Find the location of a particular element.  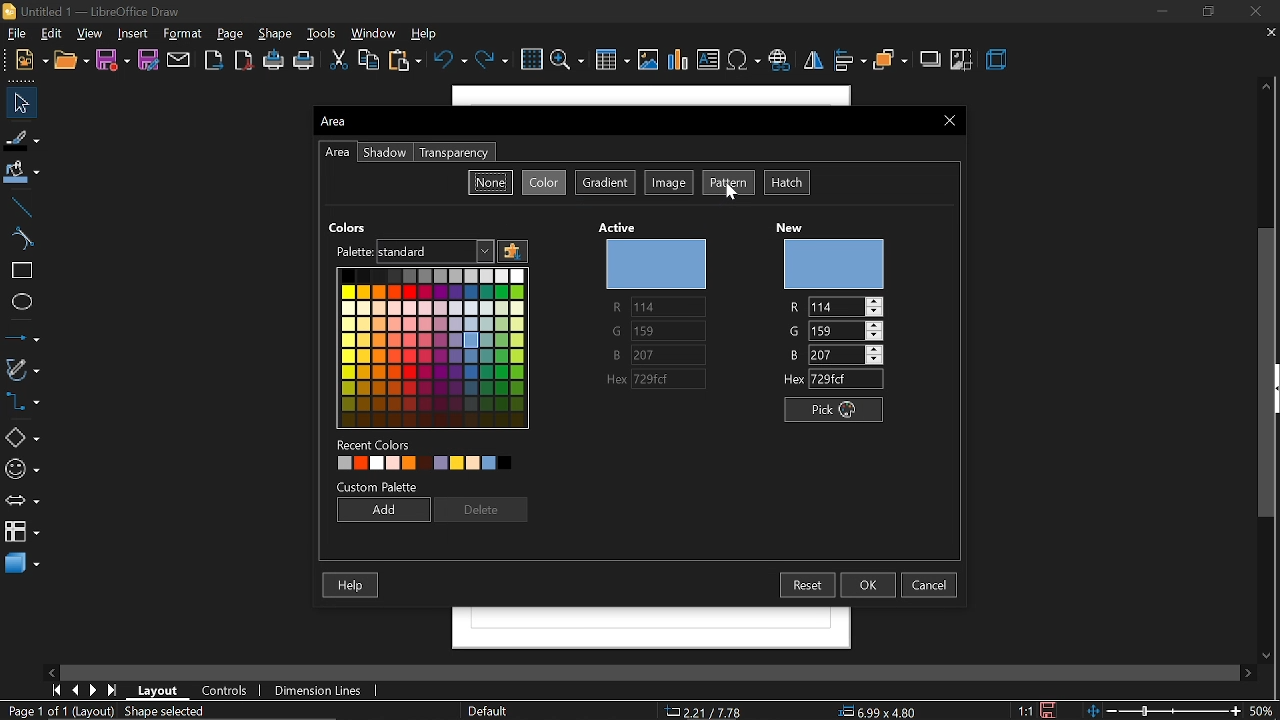

curve is located at coordinates (19, 237).